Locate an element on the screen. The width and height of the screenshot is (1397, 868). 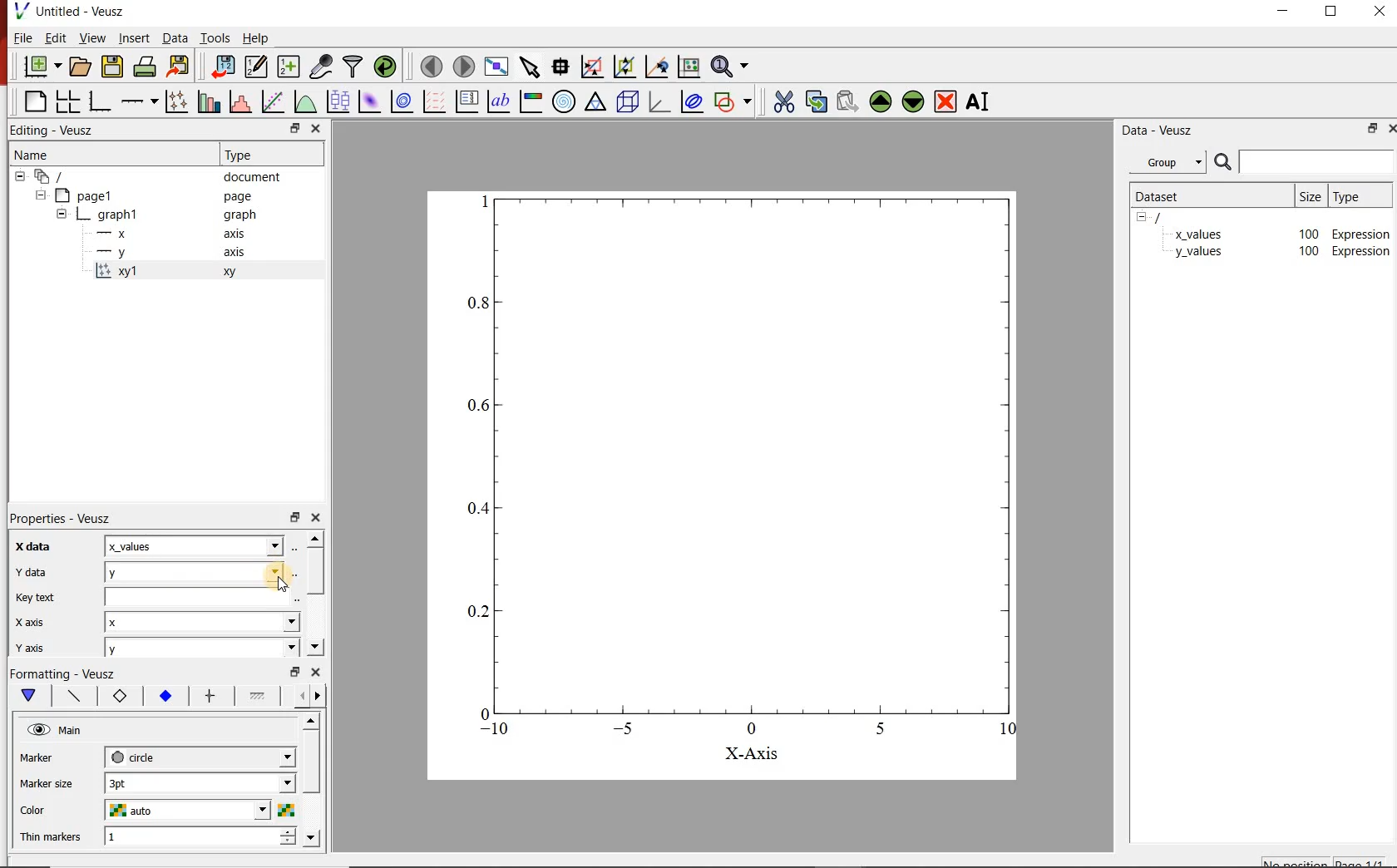
Untitled - Veusz is located at coordinates (81, 11).